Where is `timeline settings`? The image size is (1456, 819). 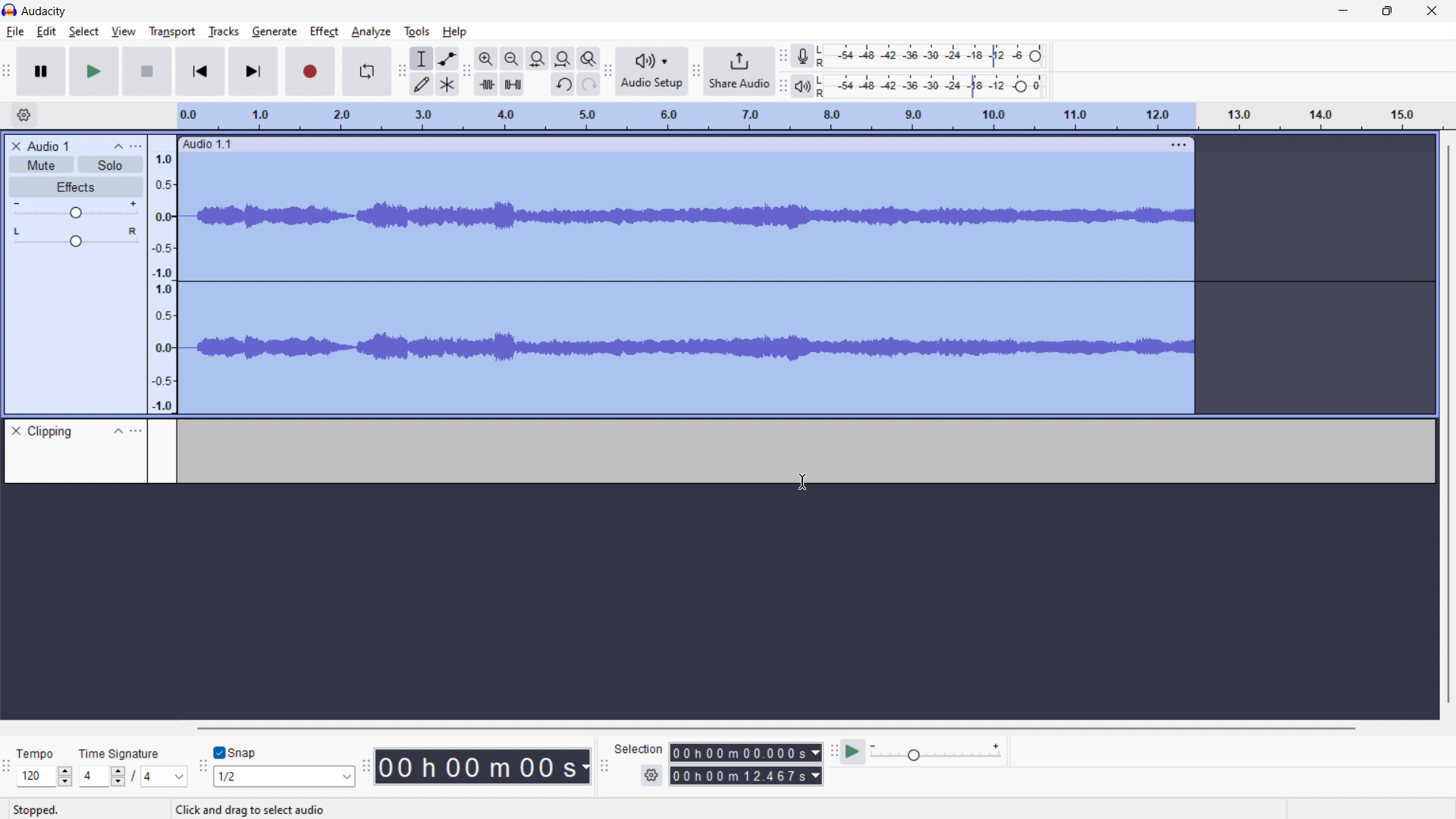
timeline settings is located at coordinates (24, 115).